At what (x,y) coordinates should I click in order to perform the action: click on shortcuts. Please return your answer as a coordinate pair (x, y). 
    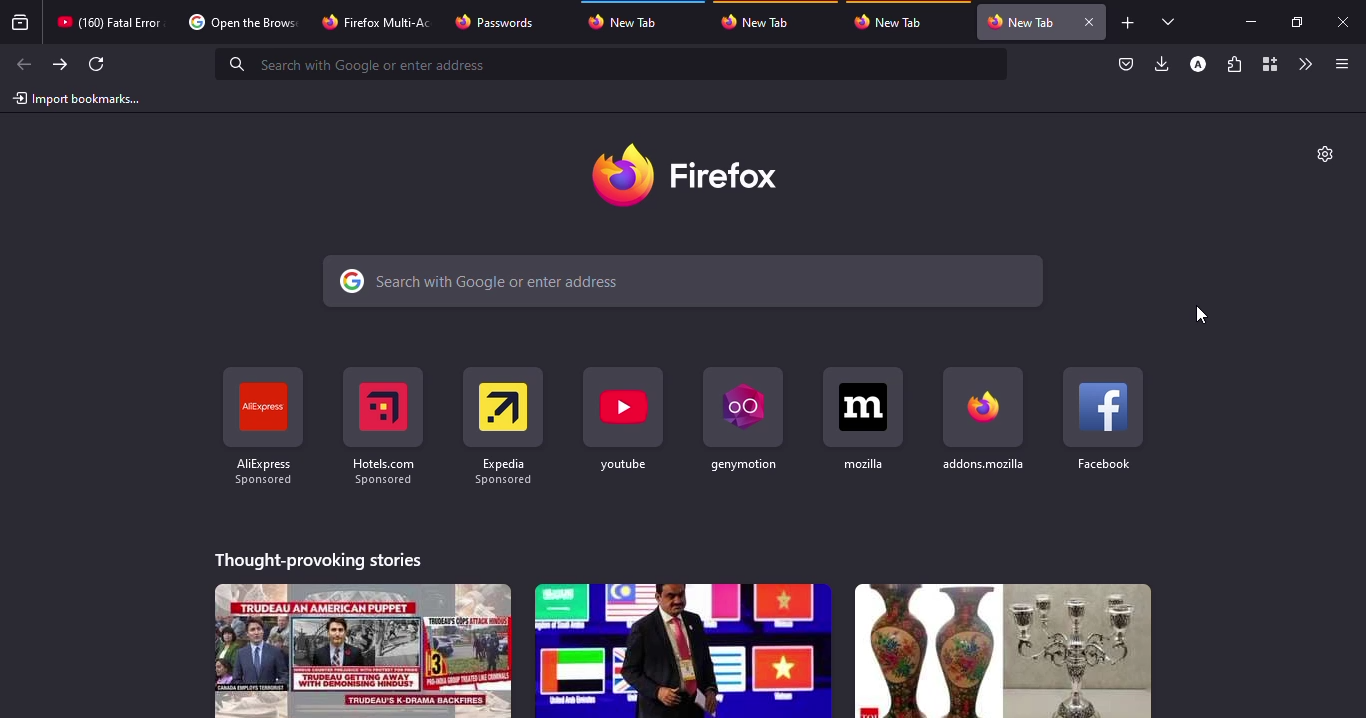
    Looking at the image, I should click on (985, 420).